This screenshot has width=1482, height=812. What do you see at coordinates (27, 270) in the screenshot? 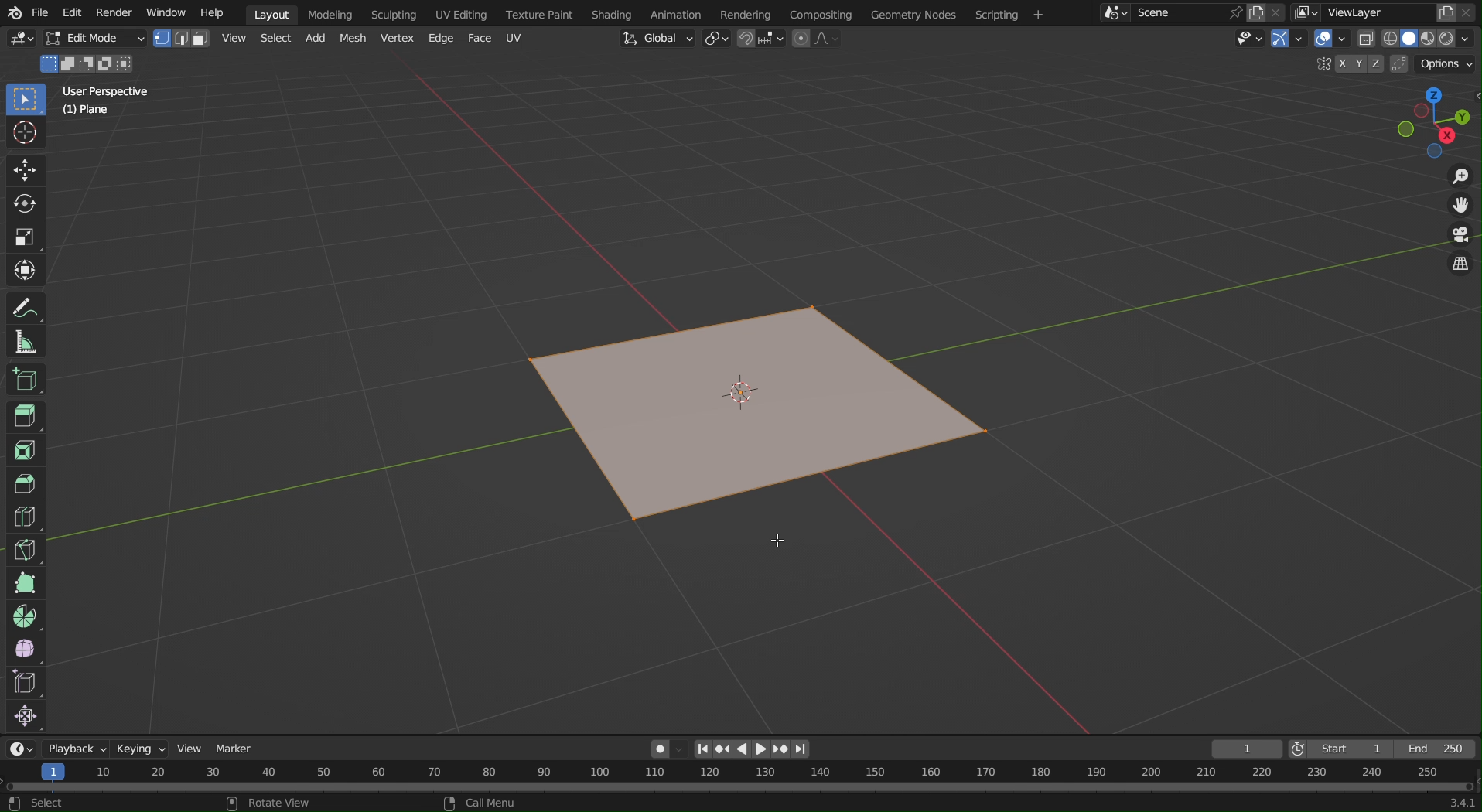
I see `Transform` at bounding box center [27, 270].